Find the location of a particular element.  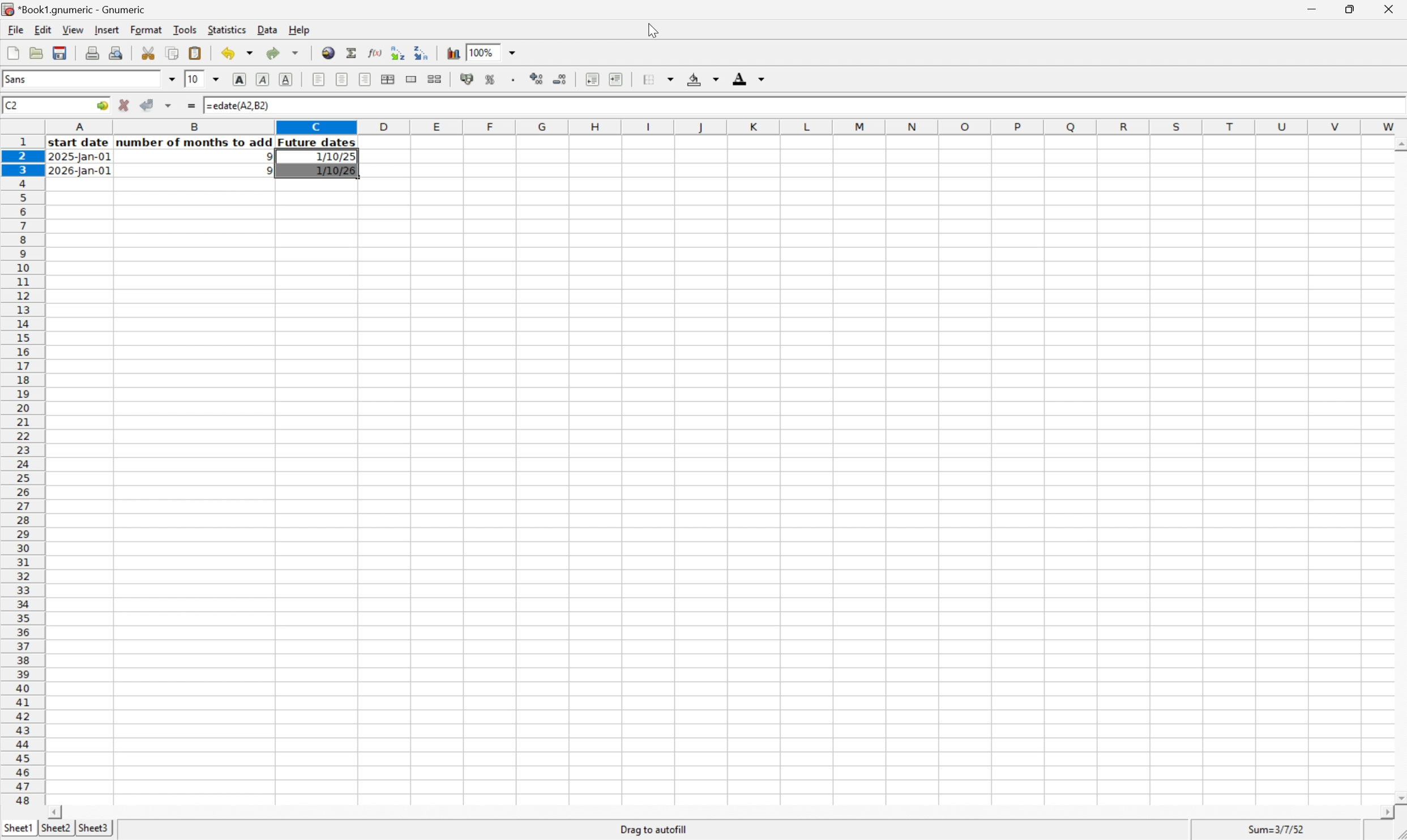

Accept changes across selection is located at coordinates (172, 104).